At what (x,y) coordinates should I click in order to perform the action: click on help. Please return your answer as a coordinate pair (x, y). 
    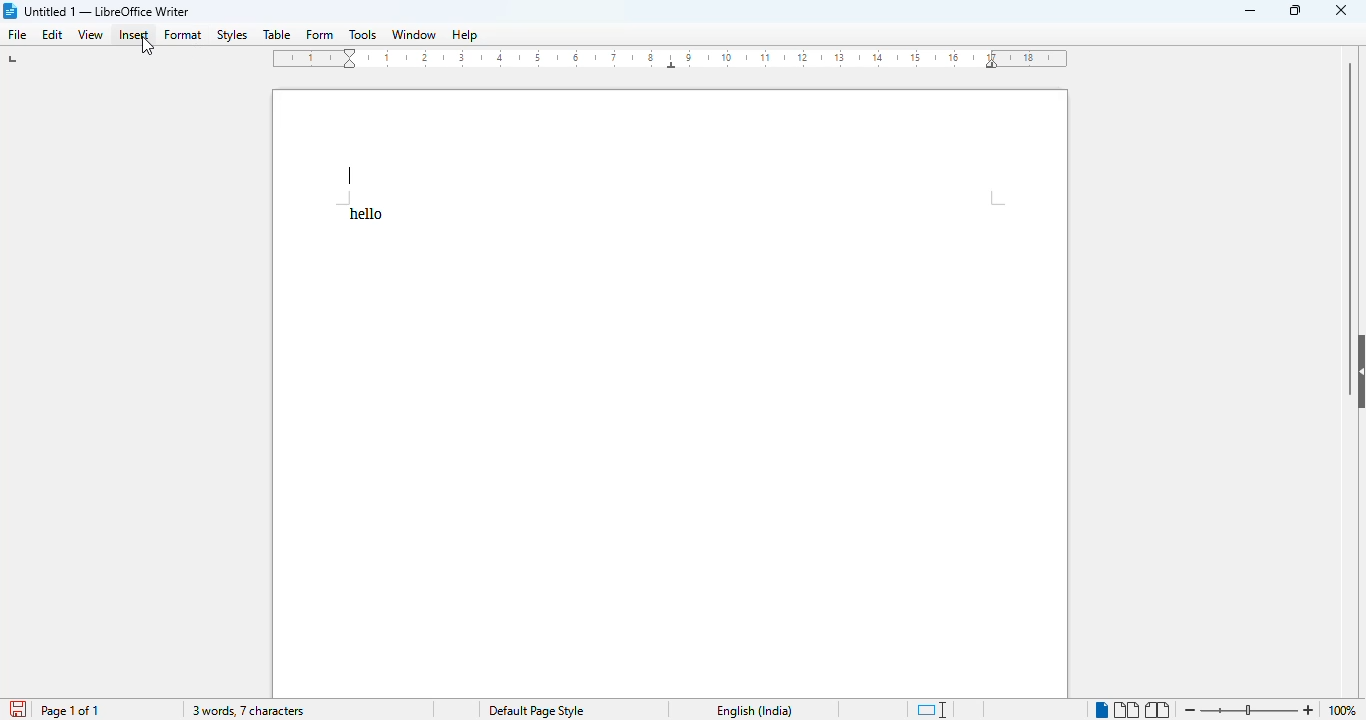
    Looking at the image, I should click on (466, 35).